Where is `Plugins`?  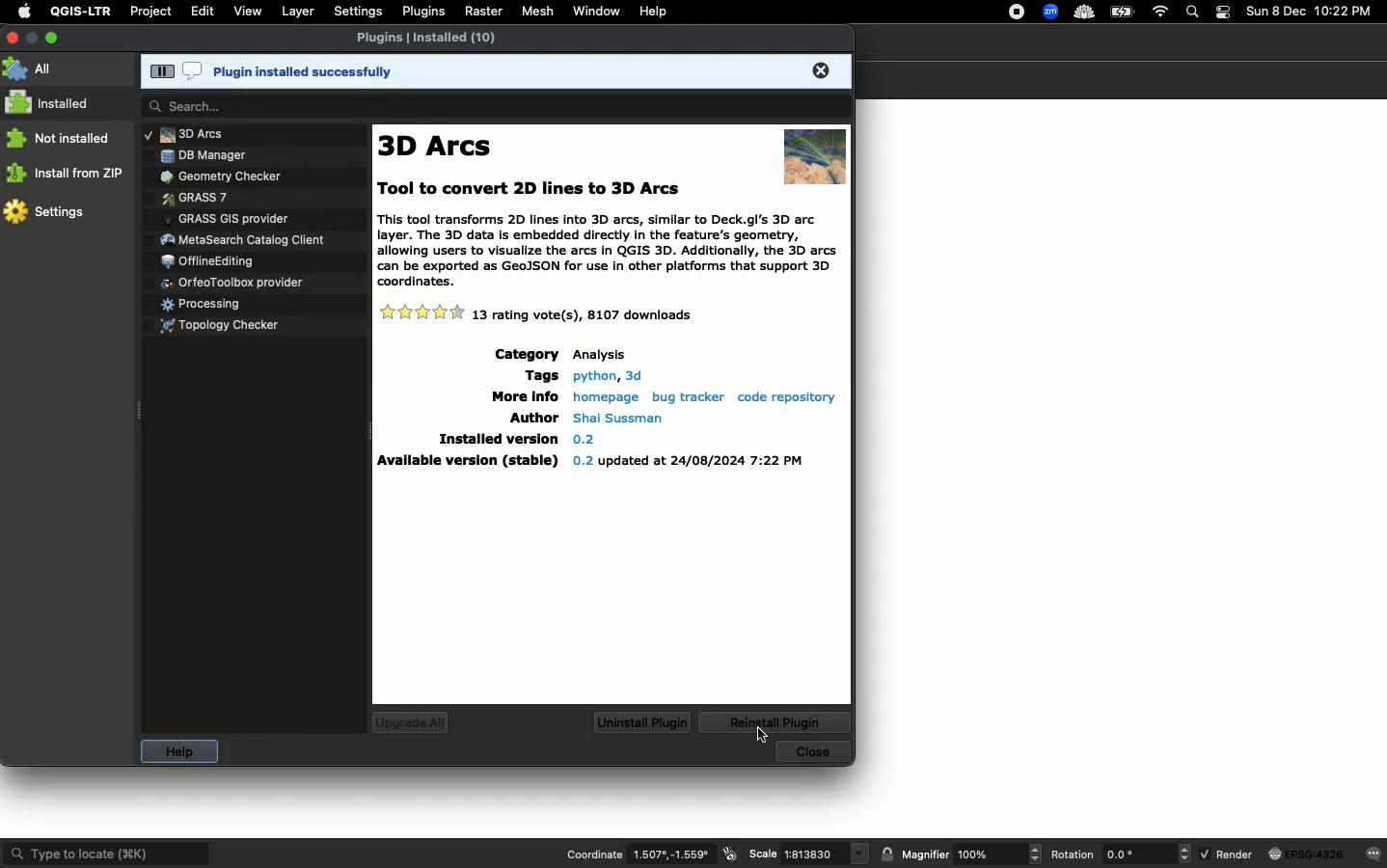 Plugins is located at coordinates (215, 329).